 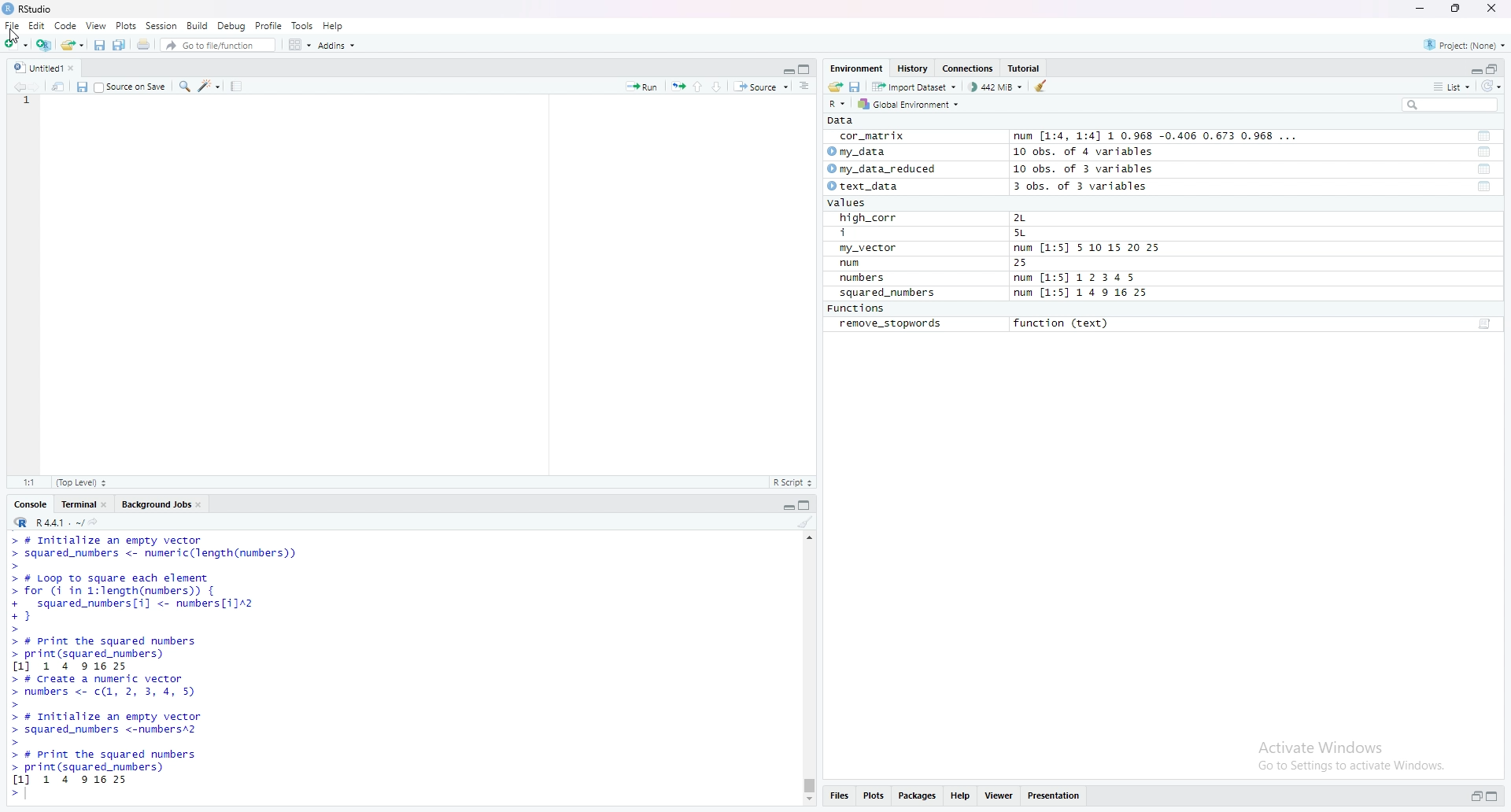 I want to click on my_data, so click(x=866, y=151).